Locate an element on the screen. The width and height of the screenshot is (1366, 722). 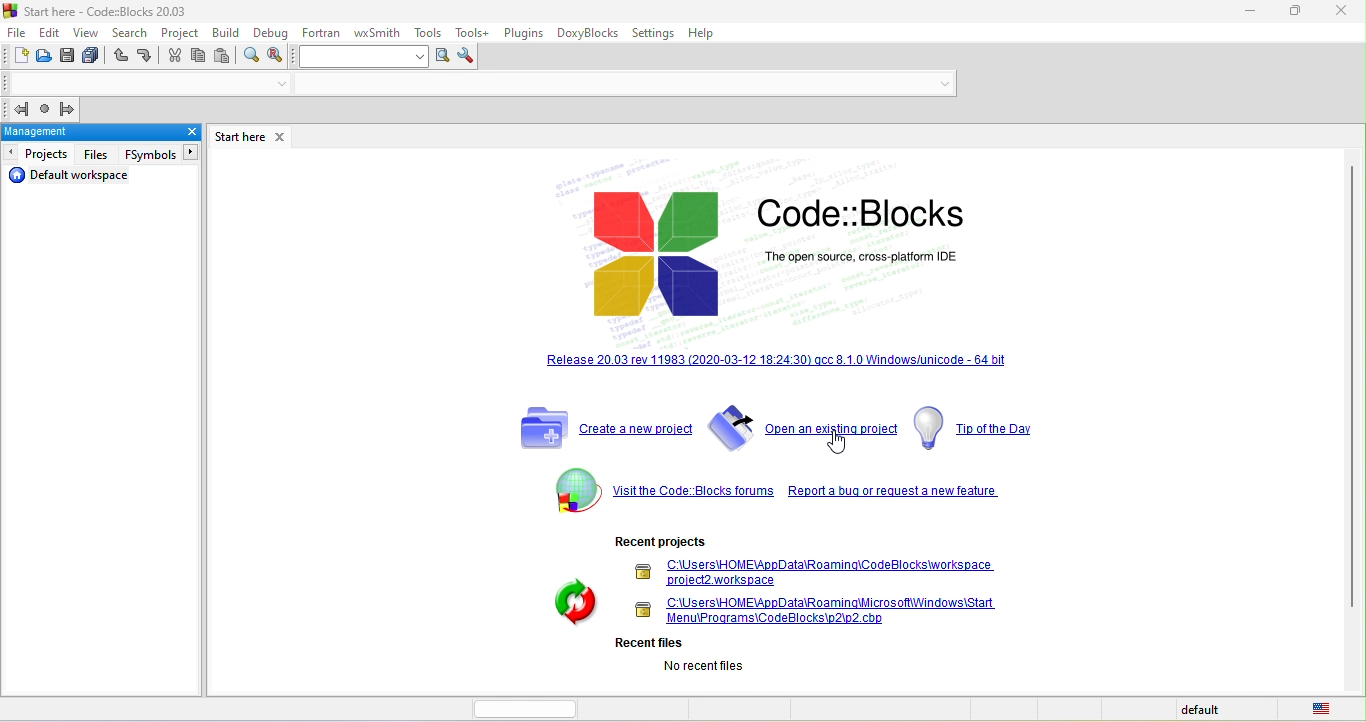
tools is located at coordinates (428, 32).